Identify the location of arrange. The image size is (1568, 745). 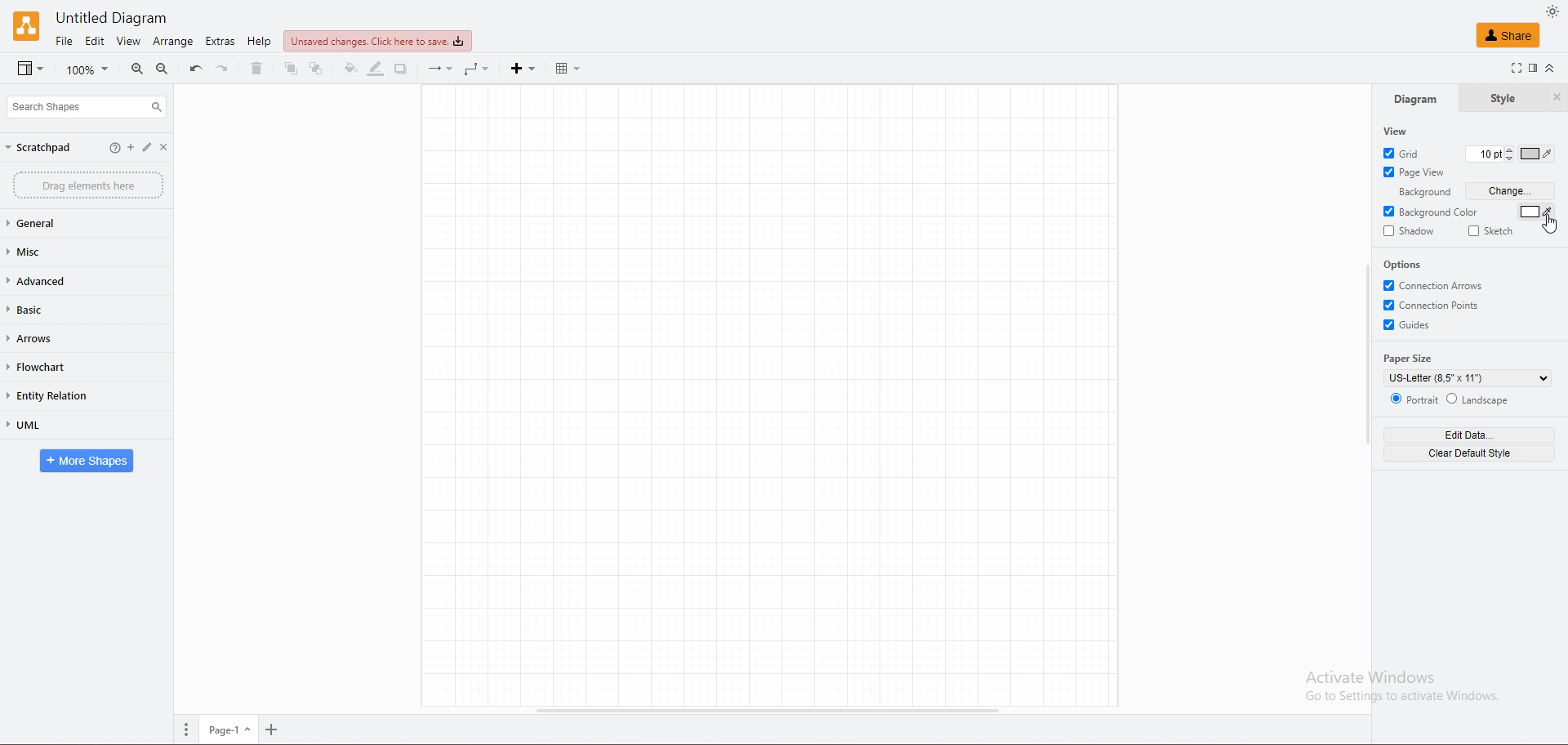
(174, 42).